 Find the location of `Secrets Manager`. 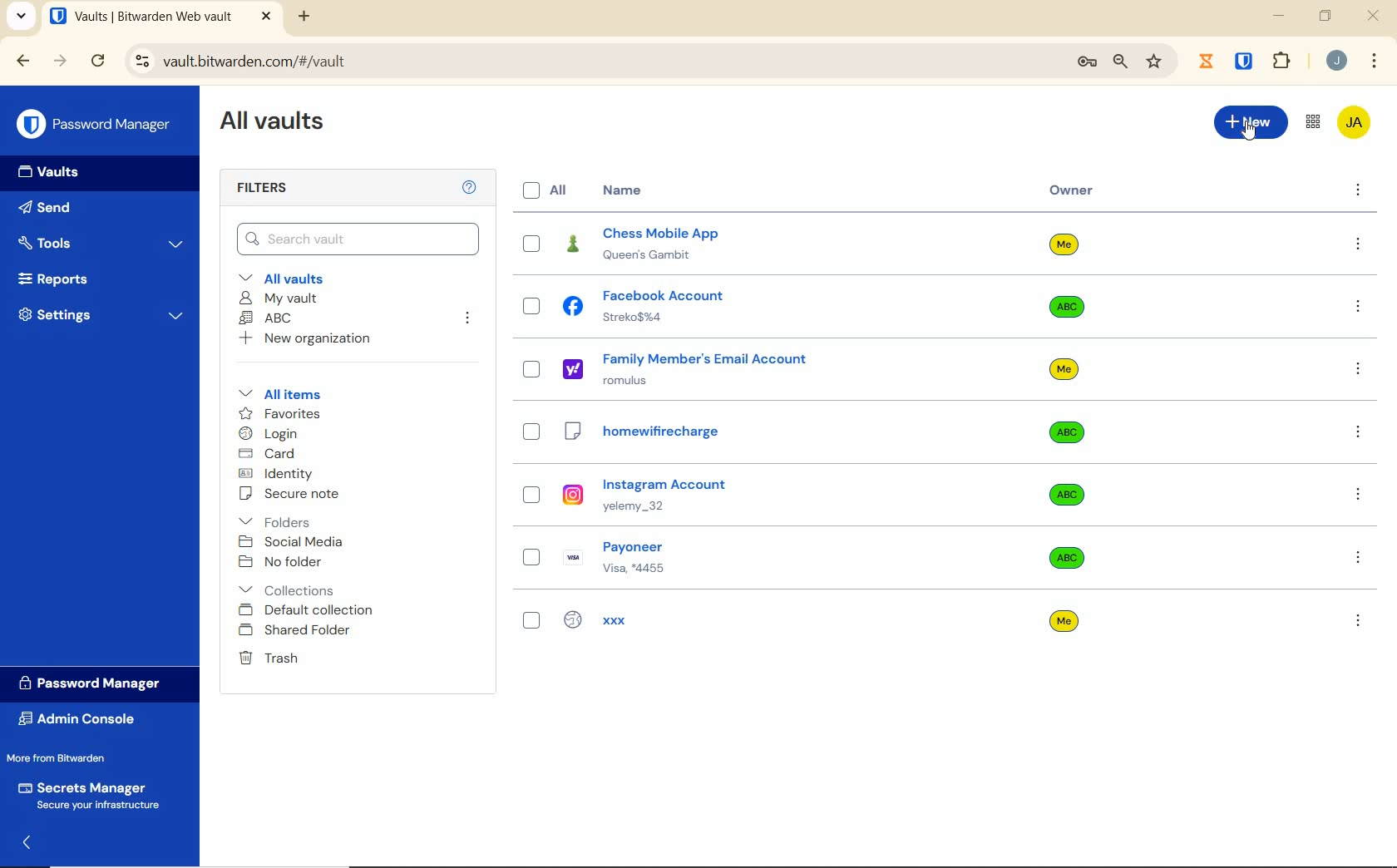

Secrets Manager is located at coordinates (93, 793).